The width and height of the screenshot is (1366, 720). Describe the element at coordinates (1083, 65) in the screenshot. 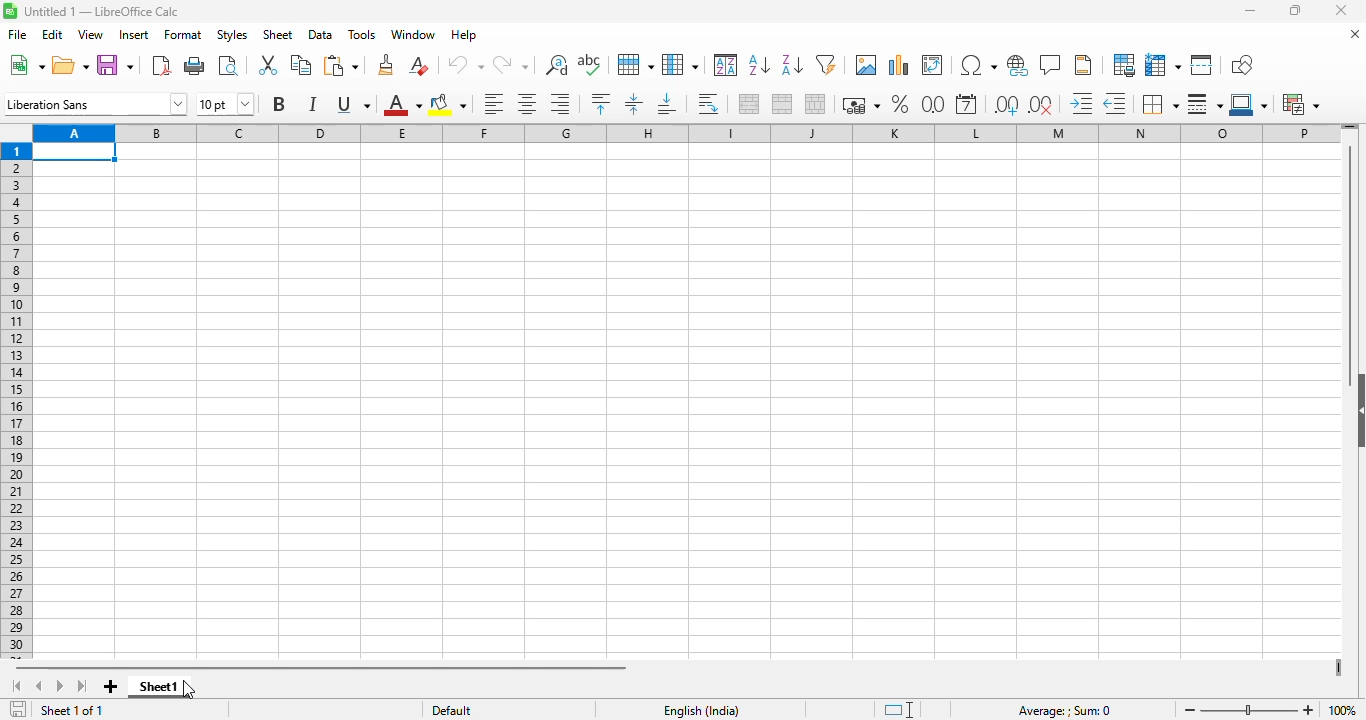

I see `headers and footers` at that location.